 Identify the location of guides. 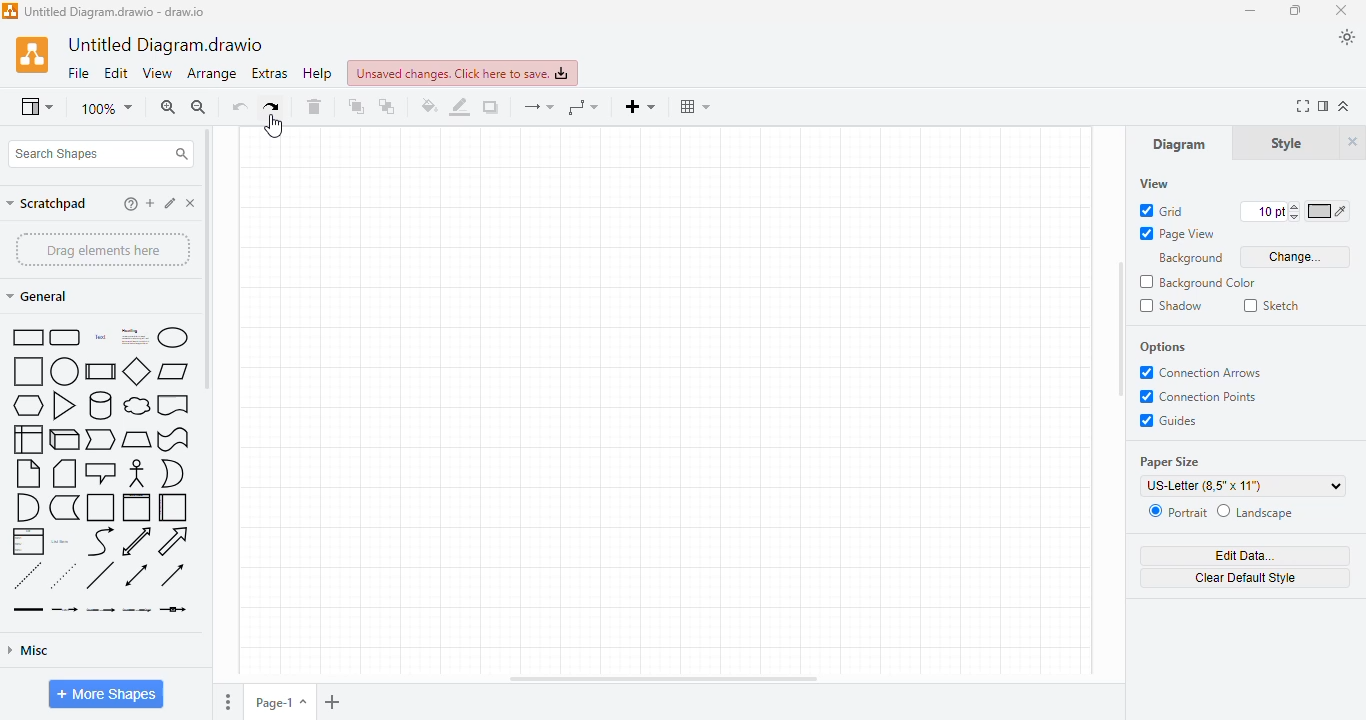
(1168, 420).